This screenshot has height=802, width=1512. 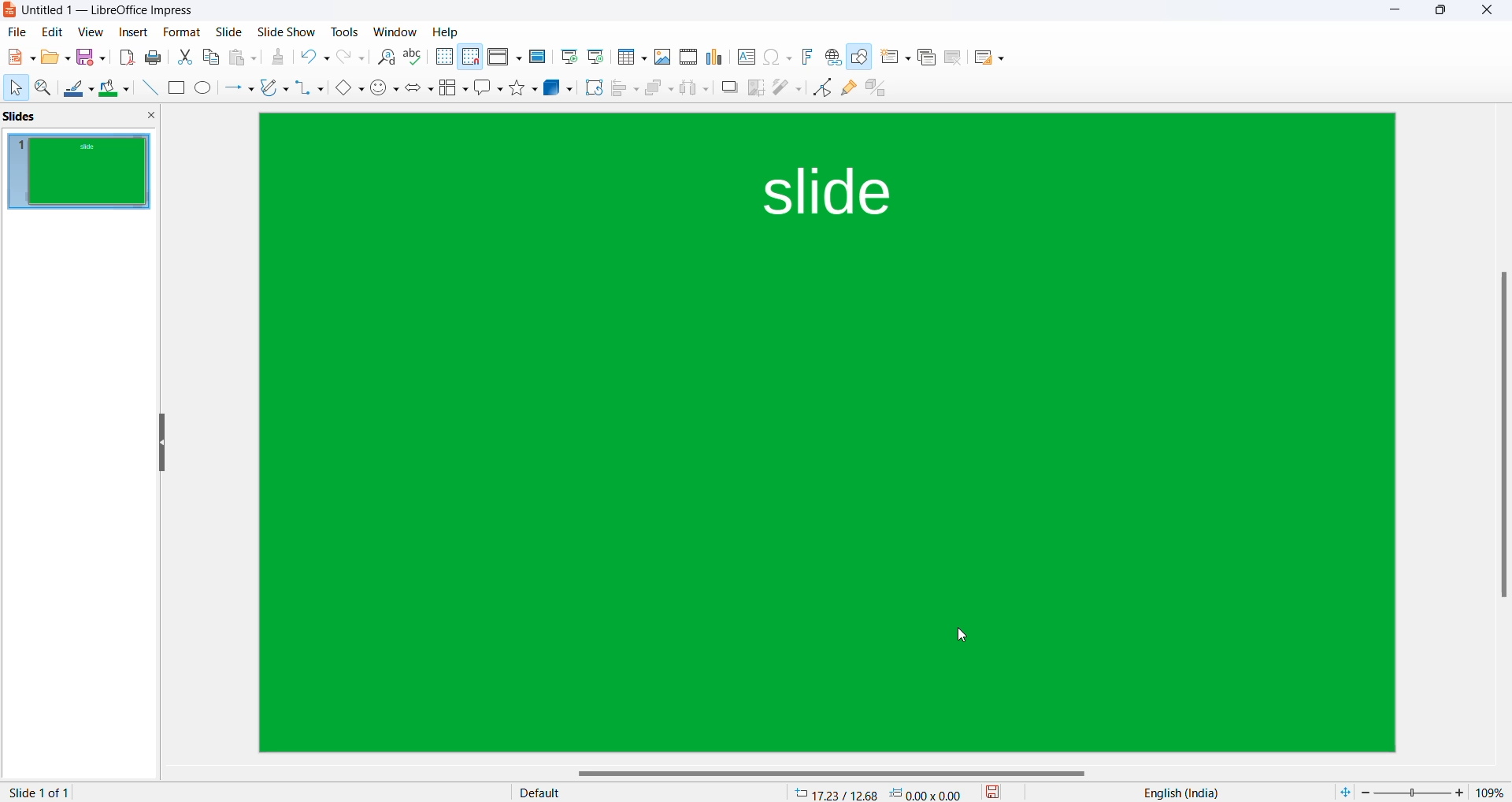 I want to click on copy options, so click(x=212, y=58).